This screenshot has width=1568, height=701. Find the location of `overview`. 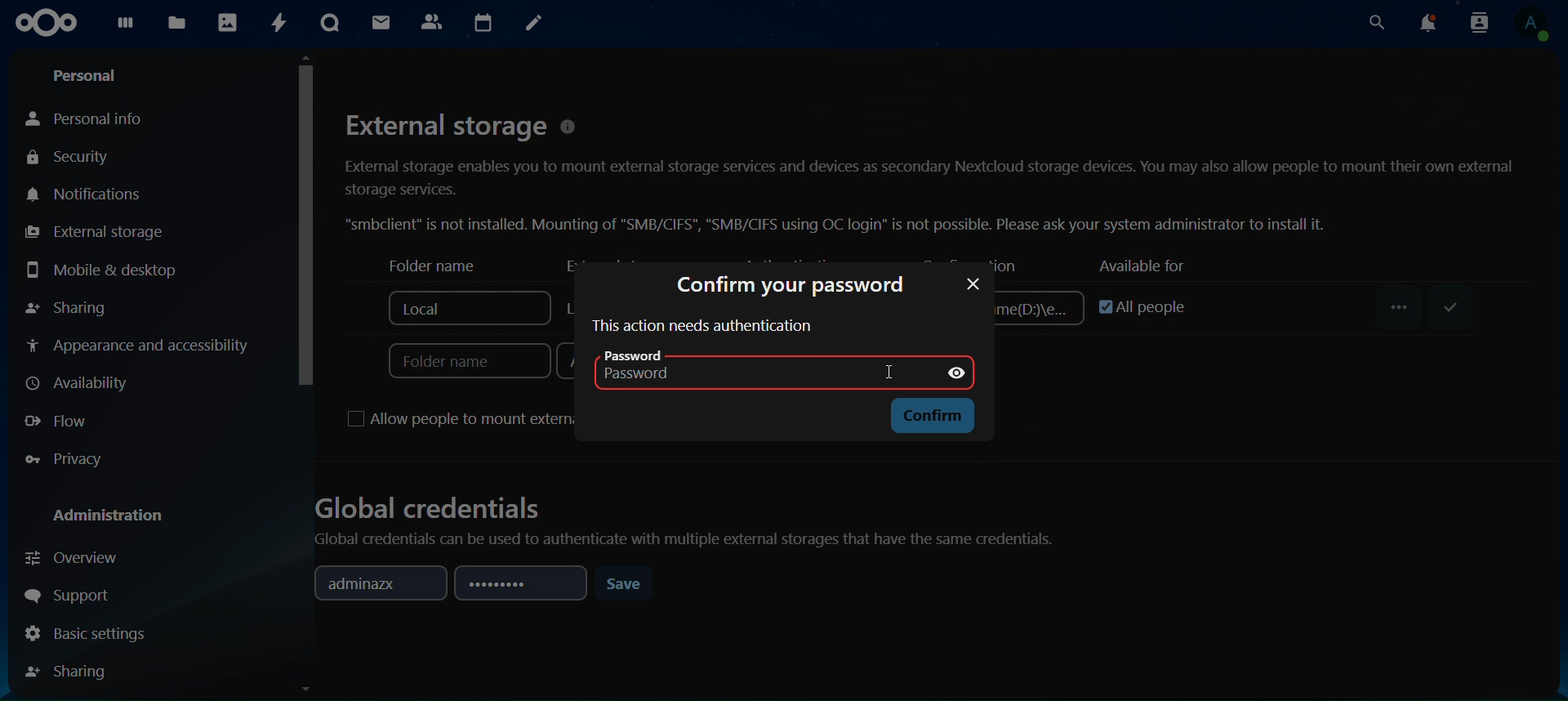

overview is located at coordinates (78, 560).